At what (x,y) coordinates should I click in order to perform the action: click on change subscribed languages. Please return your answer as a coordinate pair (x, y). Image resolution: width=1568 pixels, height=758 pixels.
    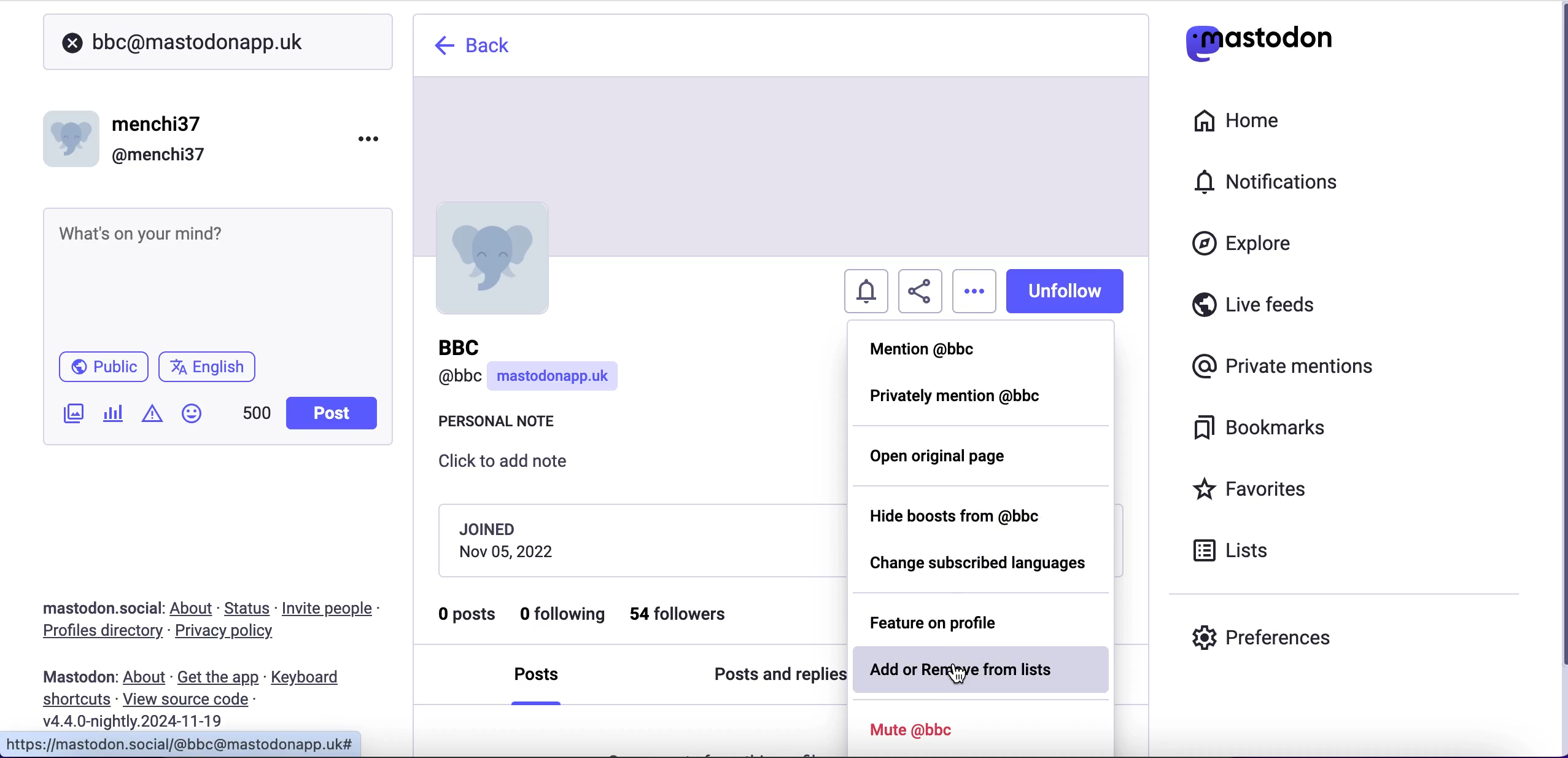
    Looking at the image, I should click on (982, 568).